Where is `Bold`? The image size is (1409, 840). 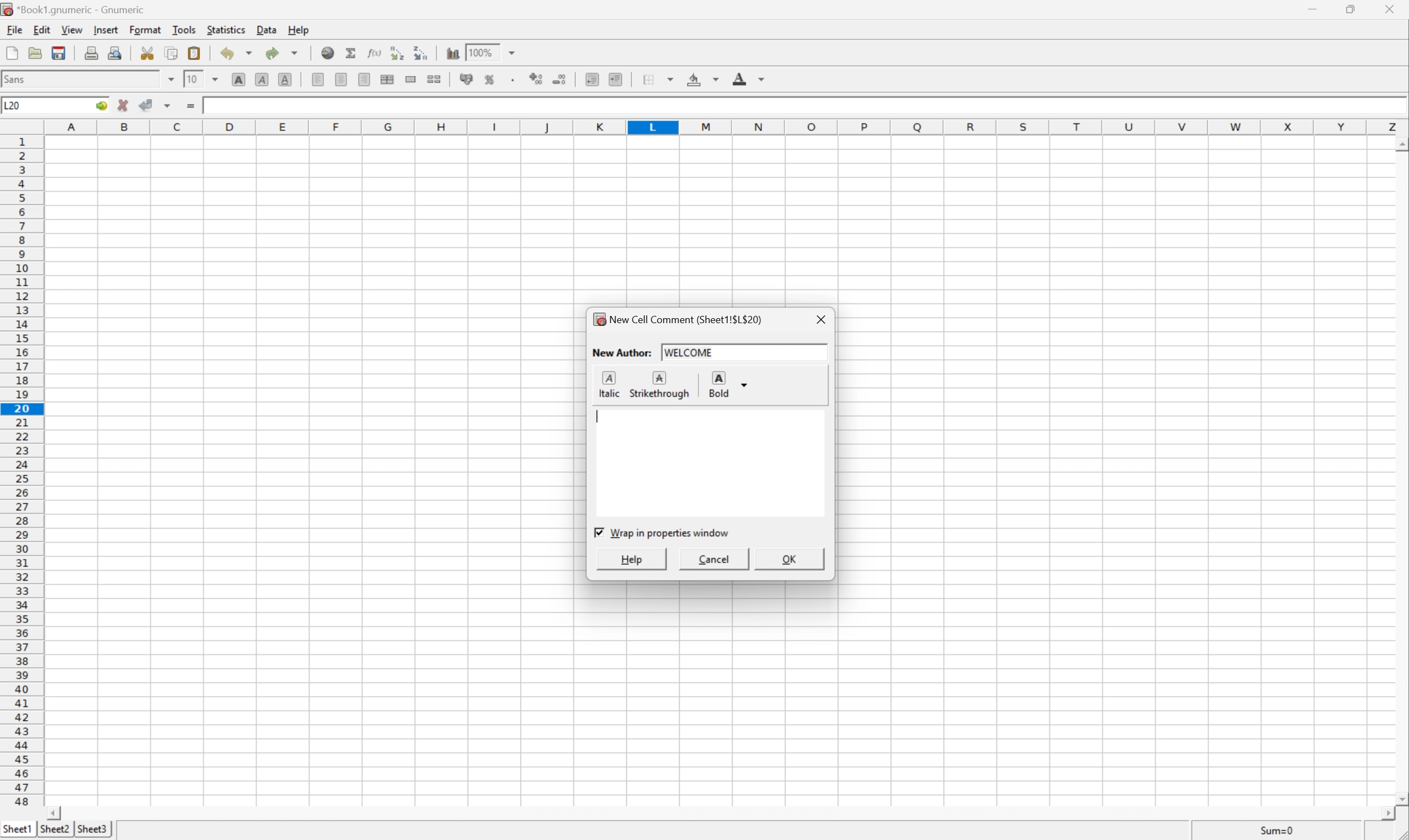 Bold is located at coordinates (237, 79).